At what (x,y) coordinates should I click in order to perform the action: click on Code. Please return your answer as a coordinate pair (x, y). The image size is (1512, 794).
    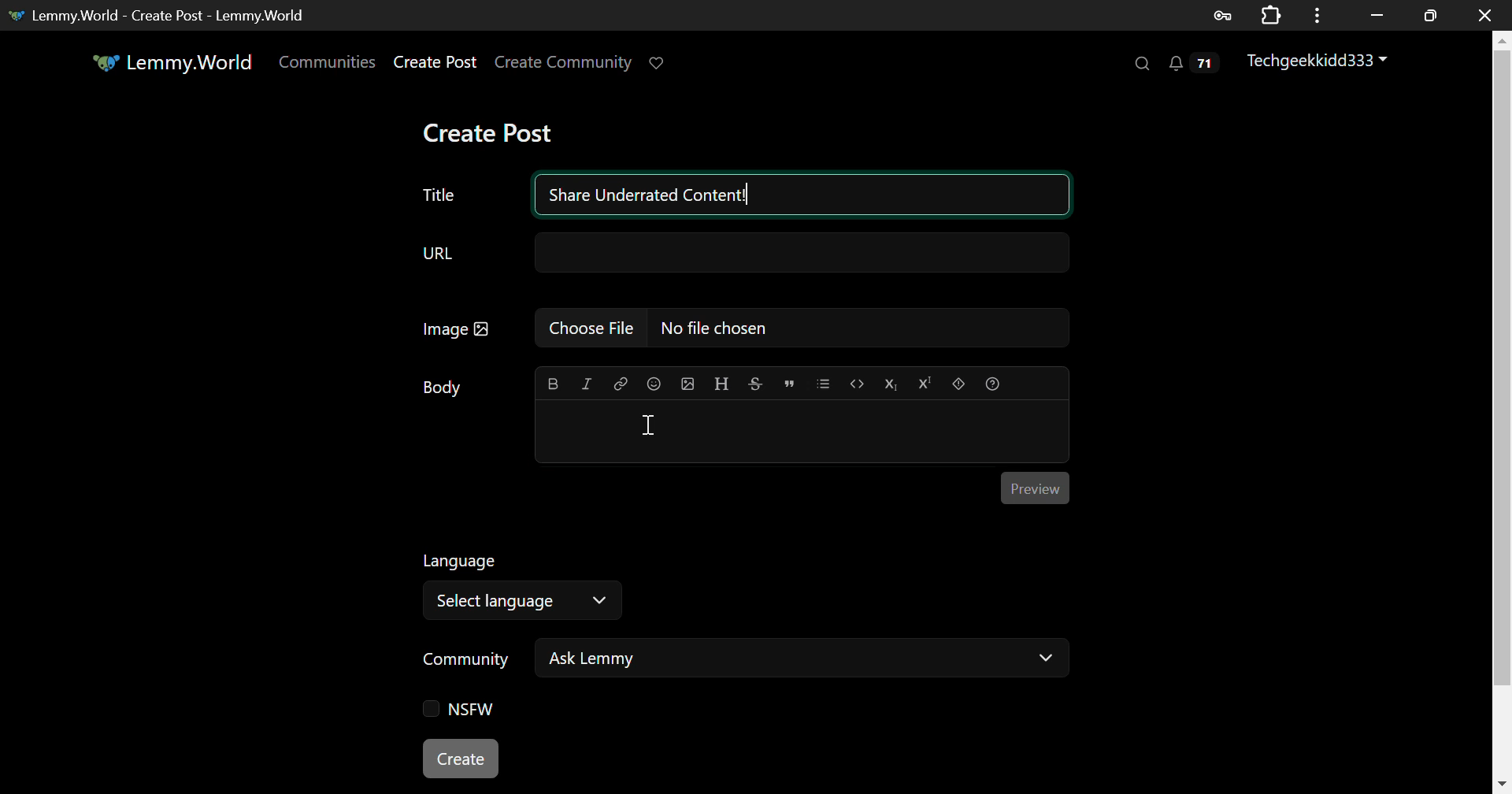
    Looking at the image, I should click on (856, 384).